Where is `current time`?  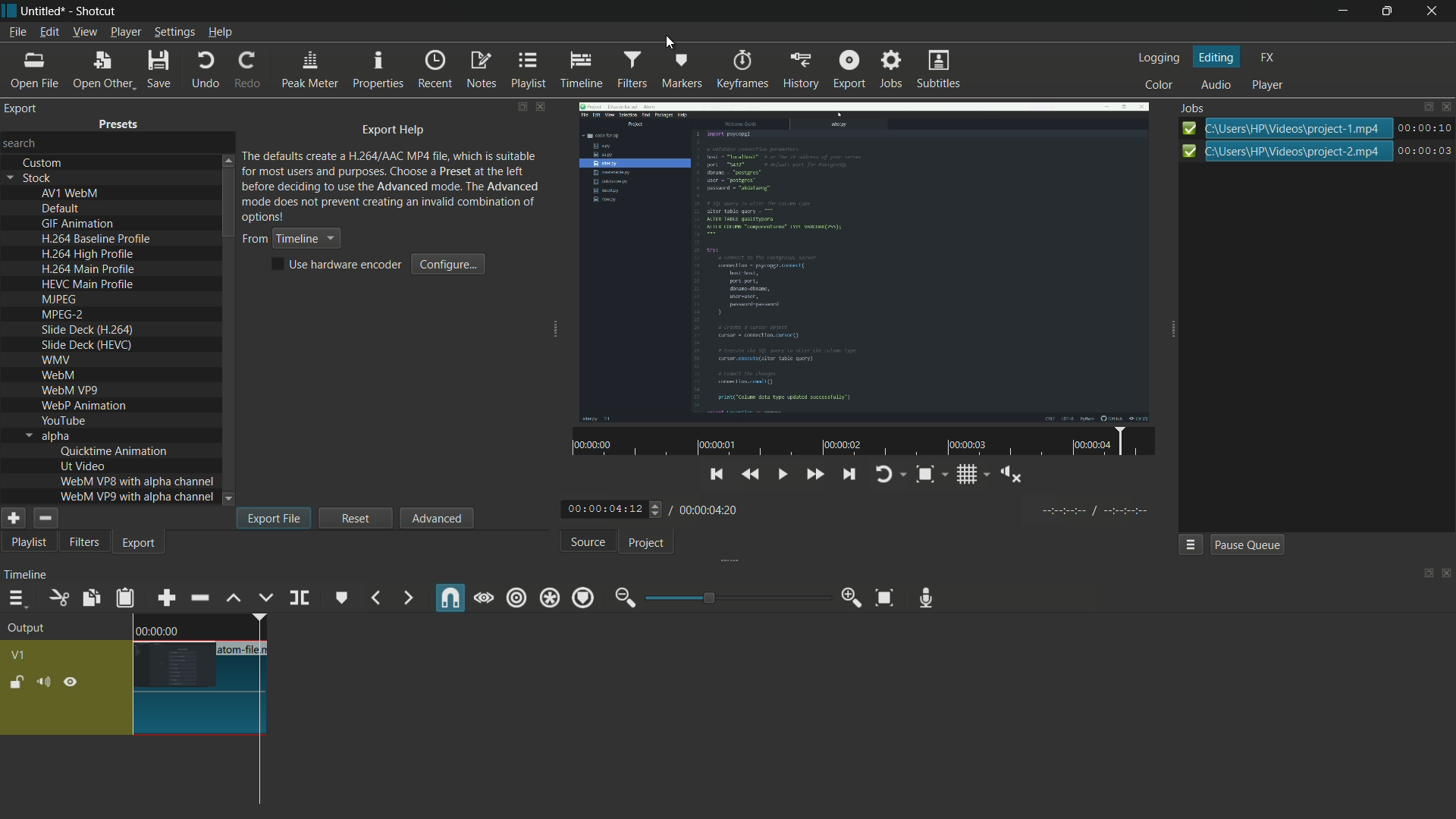
current time is located at coordinates (602, 509).